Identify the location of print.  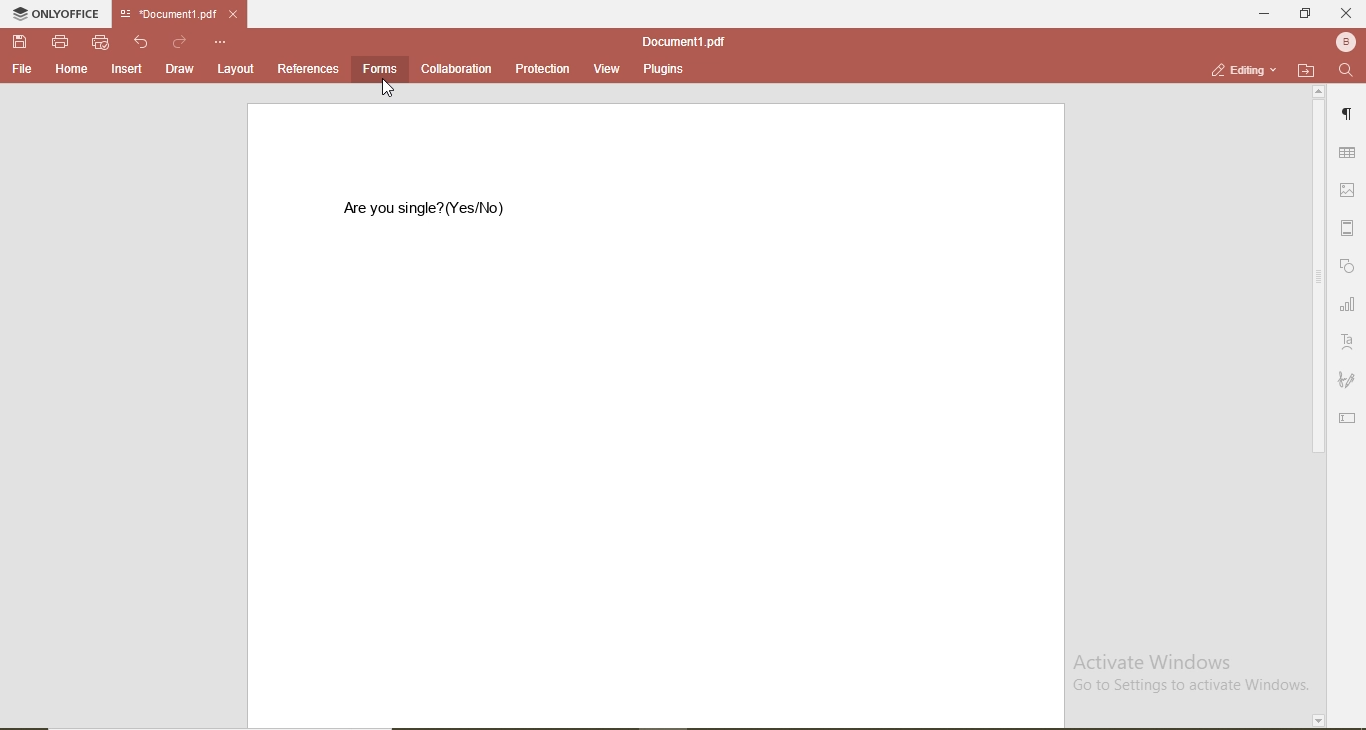
(62, 43).